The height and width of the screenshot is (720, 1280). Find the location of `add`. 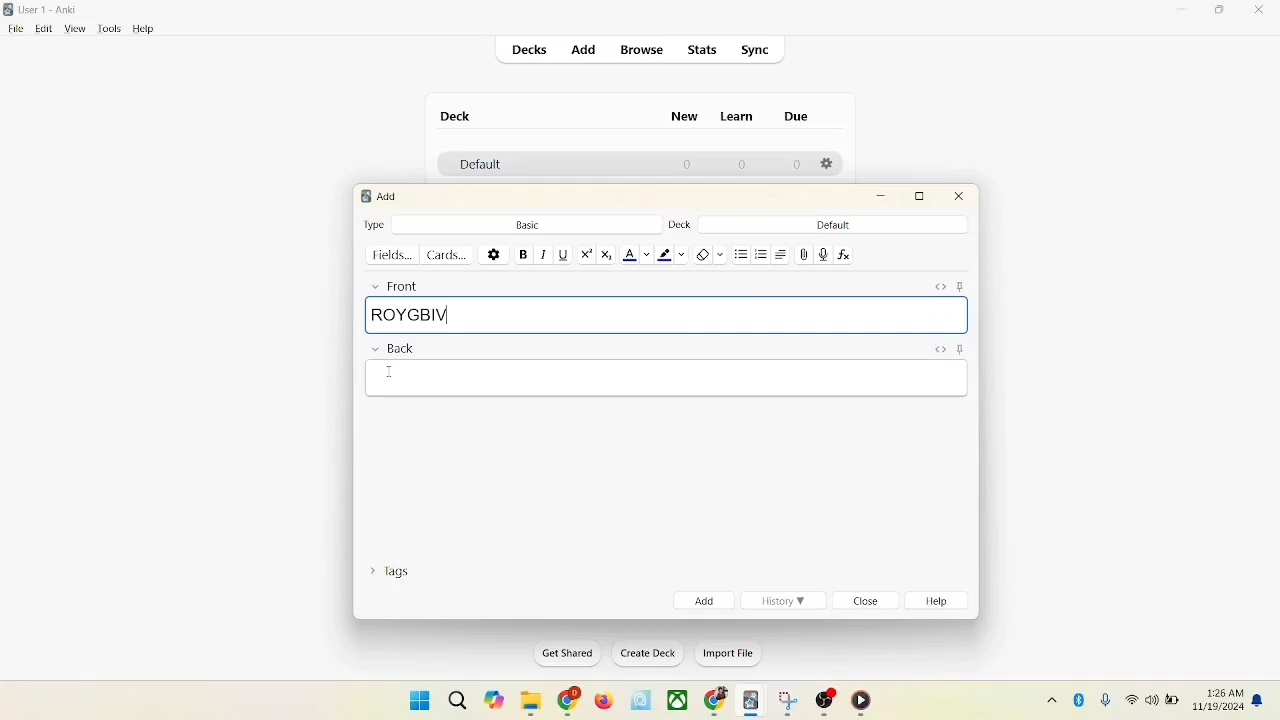

add is located at coordinates (389, 196).